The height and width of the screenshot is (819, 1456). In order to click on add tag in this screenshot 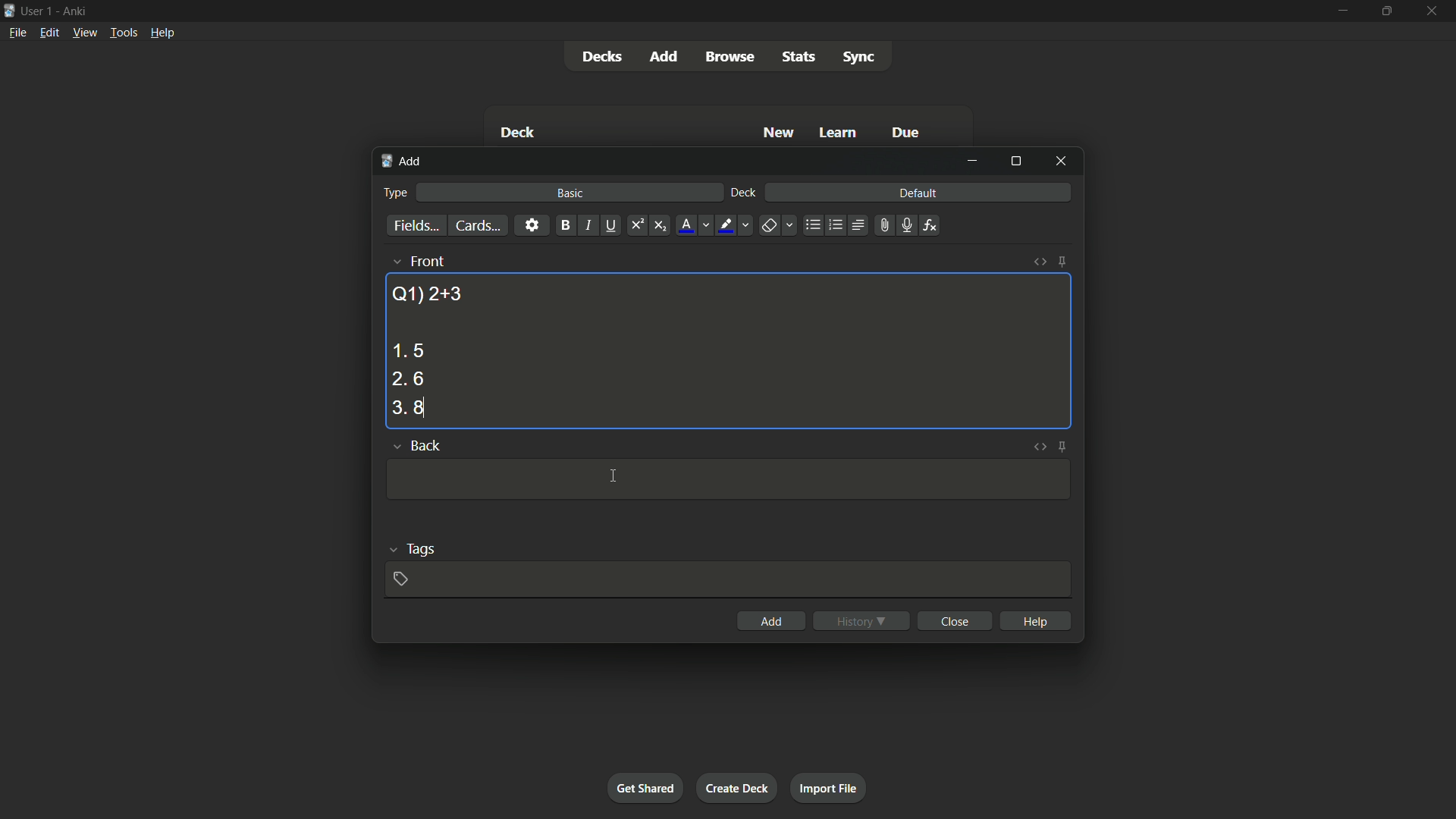, I will do `click(400, 579)`.